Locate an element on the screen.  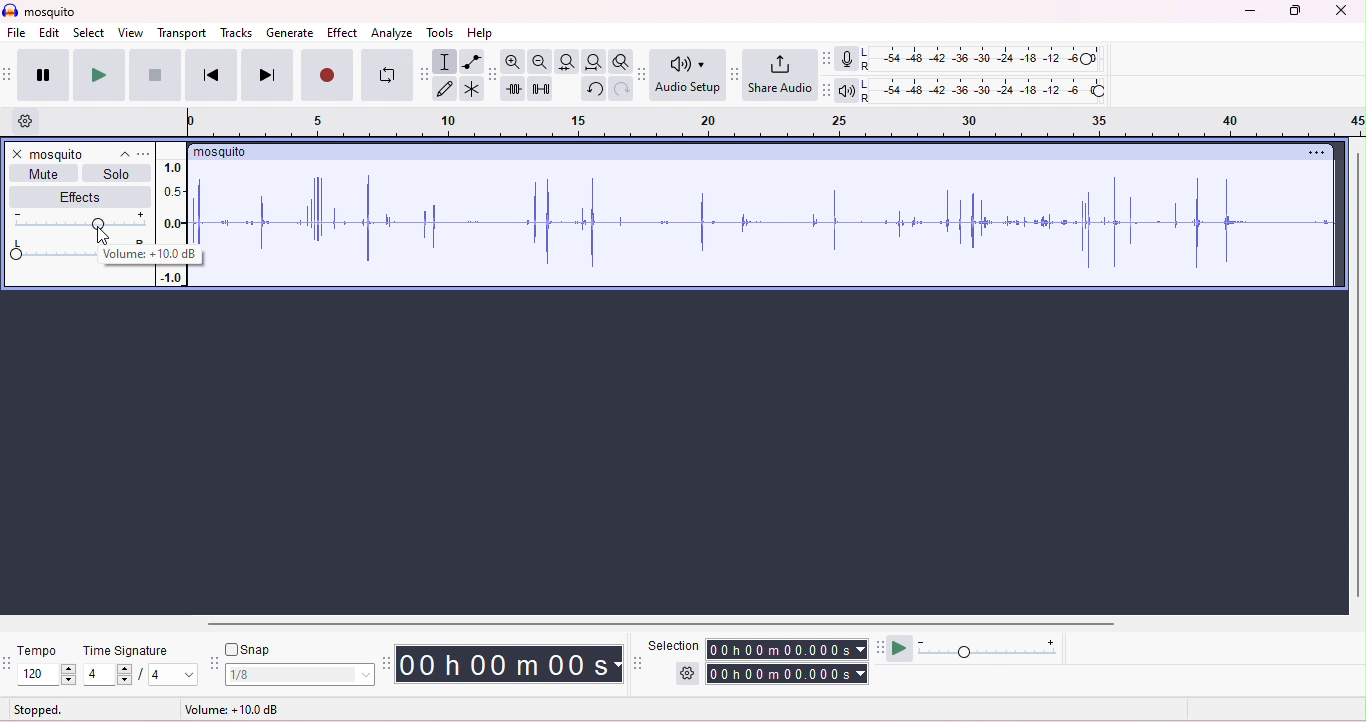
audio set up tool bar is located at coordinates (645, 73).